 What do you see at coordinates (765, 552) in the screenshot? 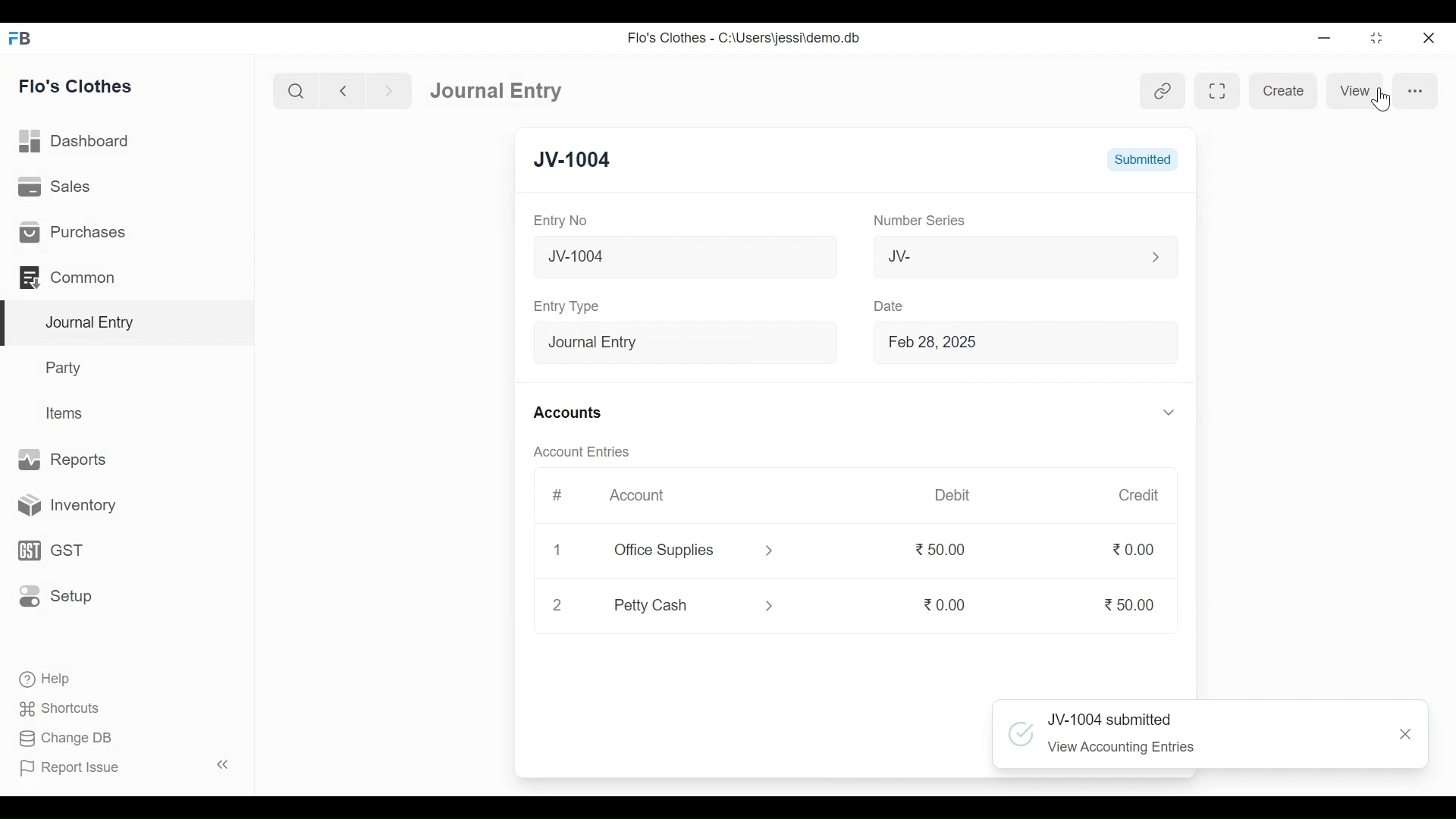
I see `Expand` at bounding box center [765, 552].